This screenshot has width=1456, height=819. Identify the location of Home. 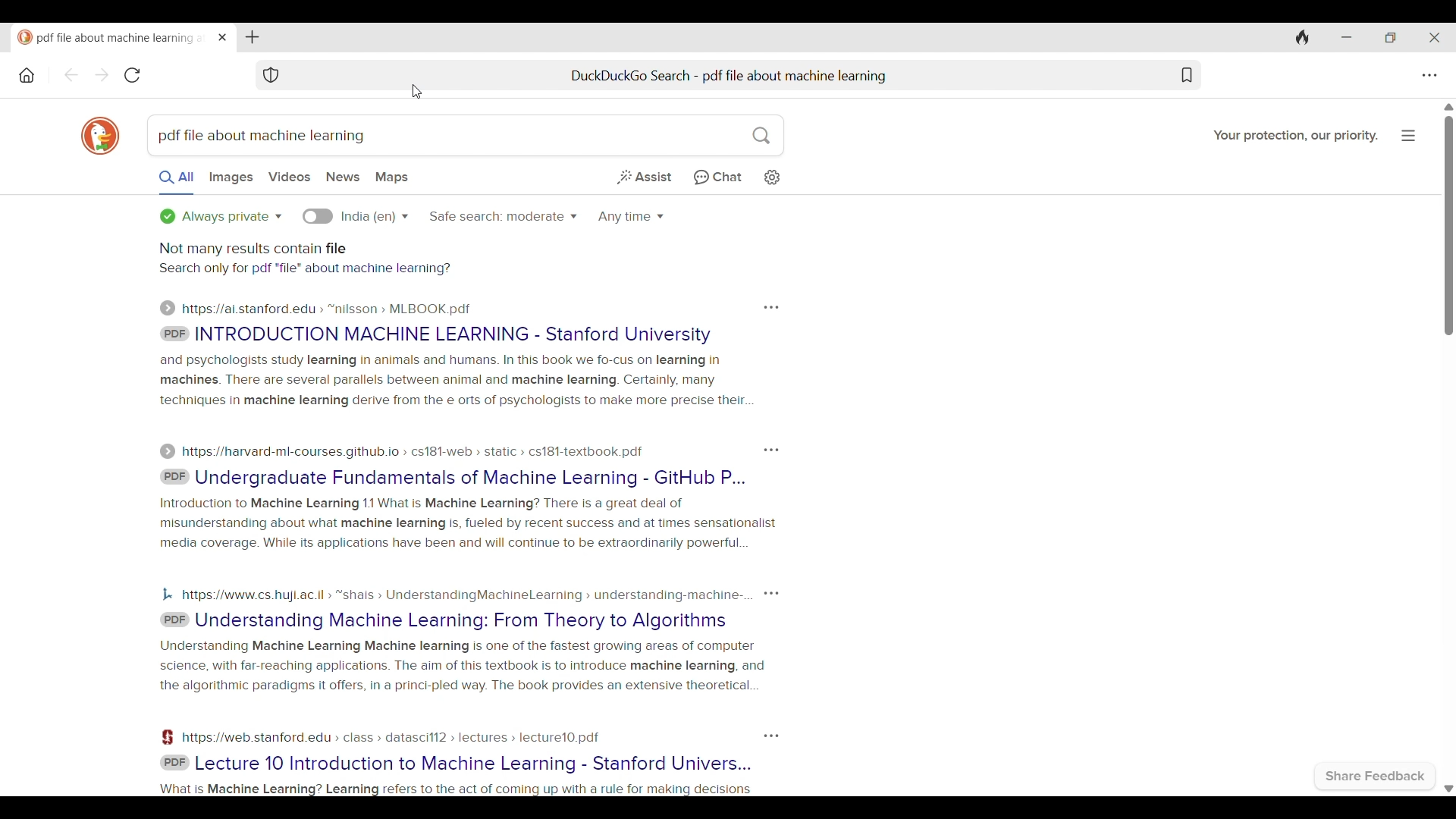
(27, 76).